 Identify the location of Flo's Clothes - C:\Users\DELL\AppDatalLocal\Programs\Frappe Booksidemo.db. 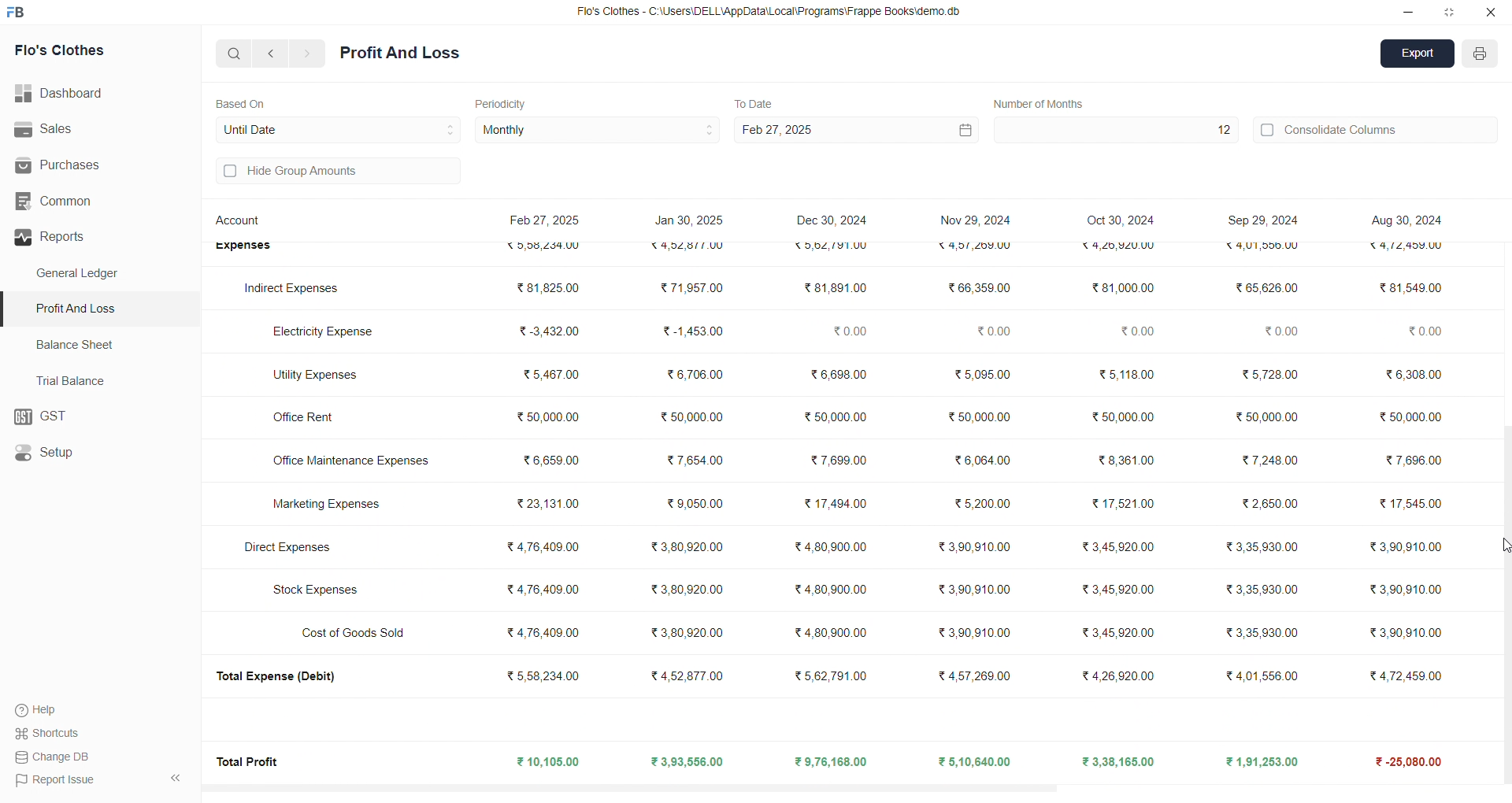
(771, 13).